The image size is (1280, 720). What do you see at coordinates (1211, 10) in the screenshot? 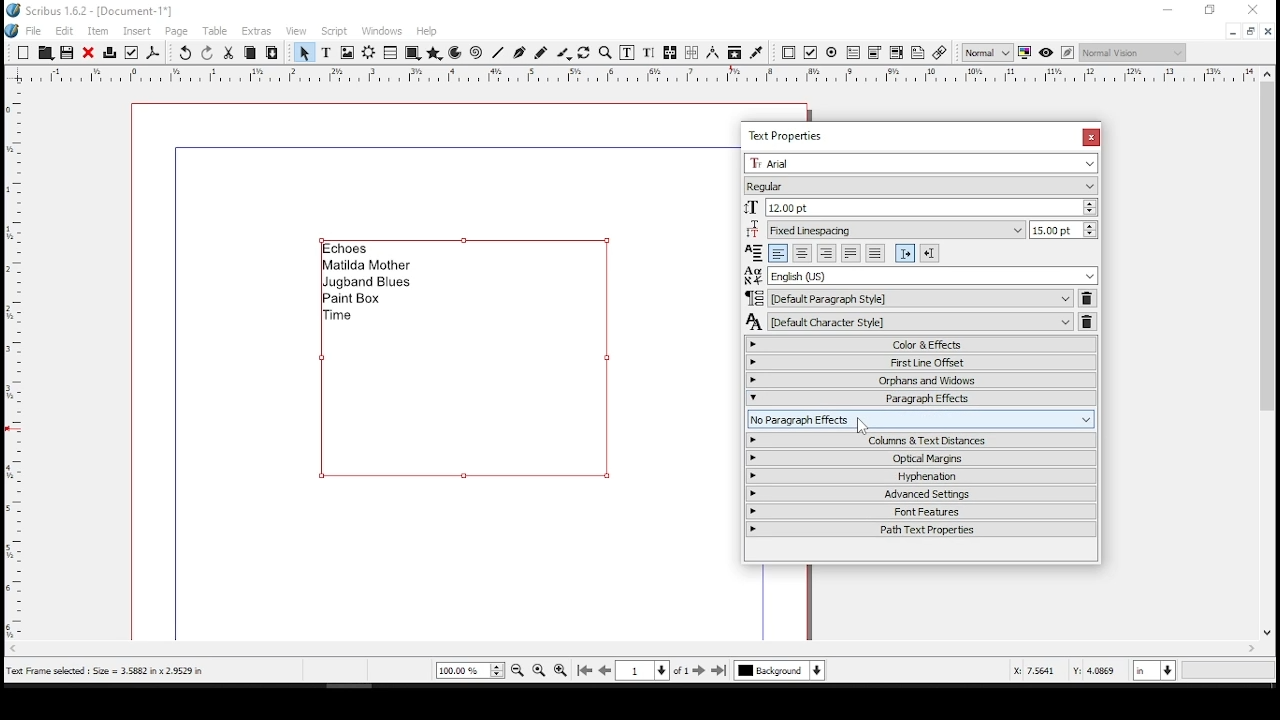
I see `restore` at bounding box center [1211, 10].